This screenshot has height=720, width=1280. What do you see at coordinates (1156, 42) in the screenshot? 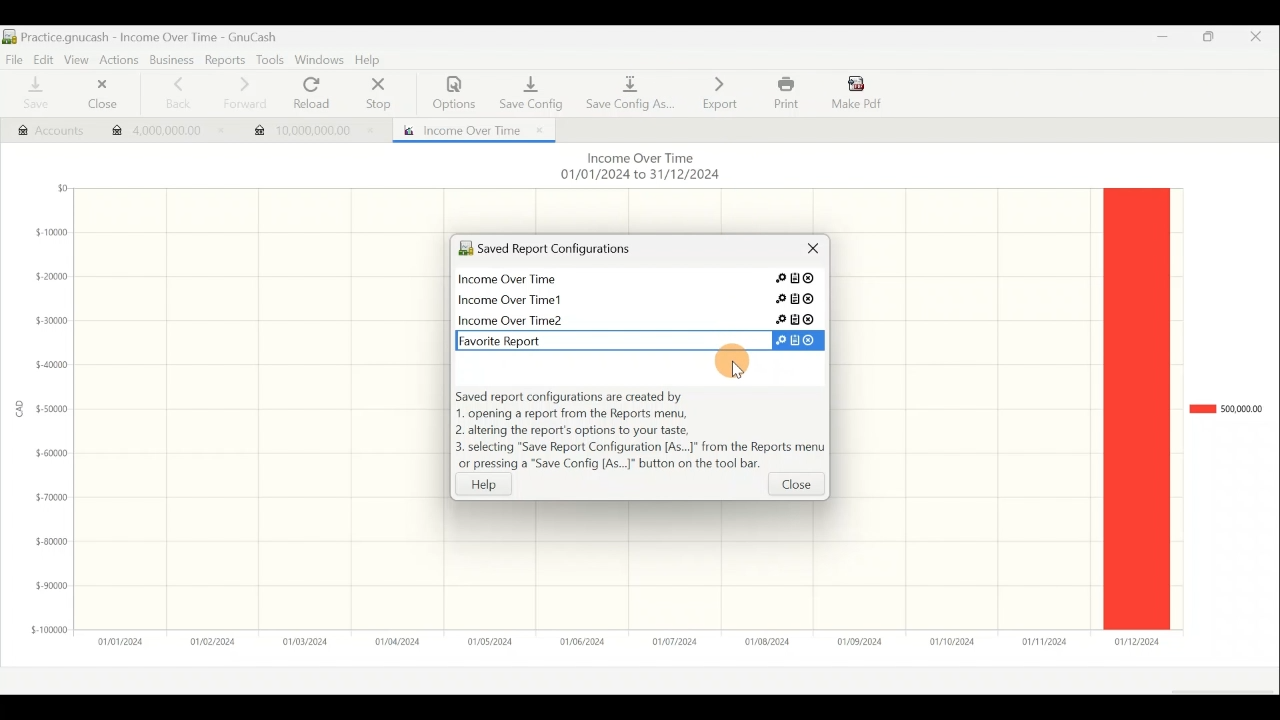
I see `Minimize` at bounding box center [1156, 42].